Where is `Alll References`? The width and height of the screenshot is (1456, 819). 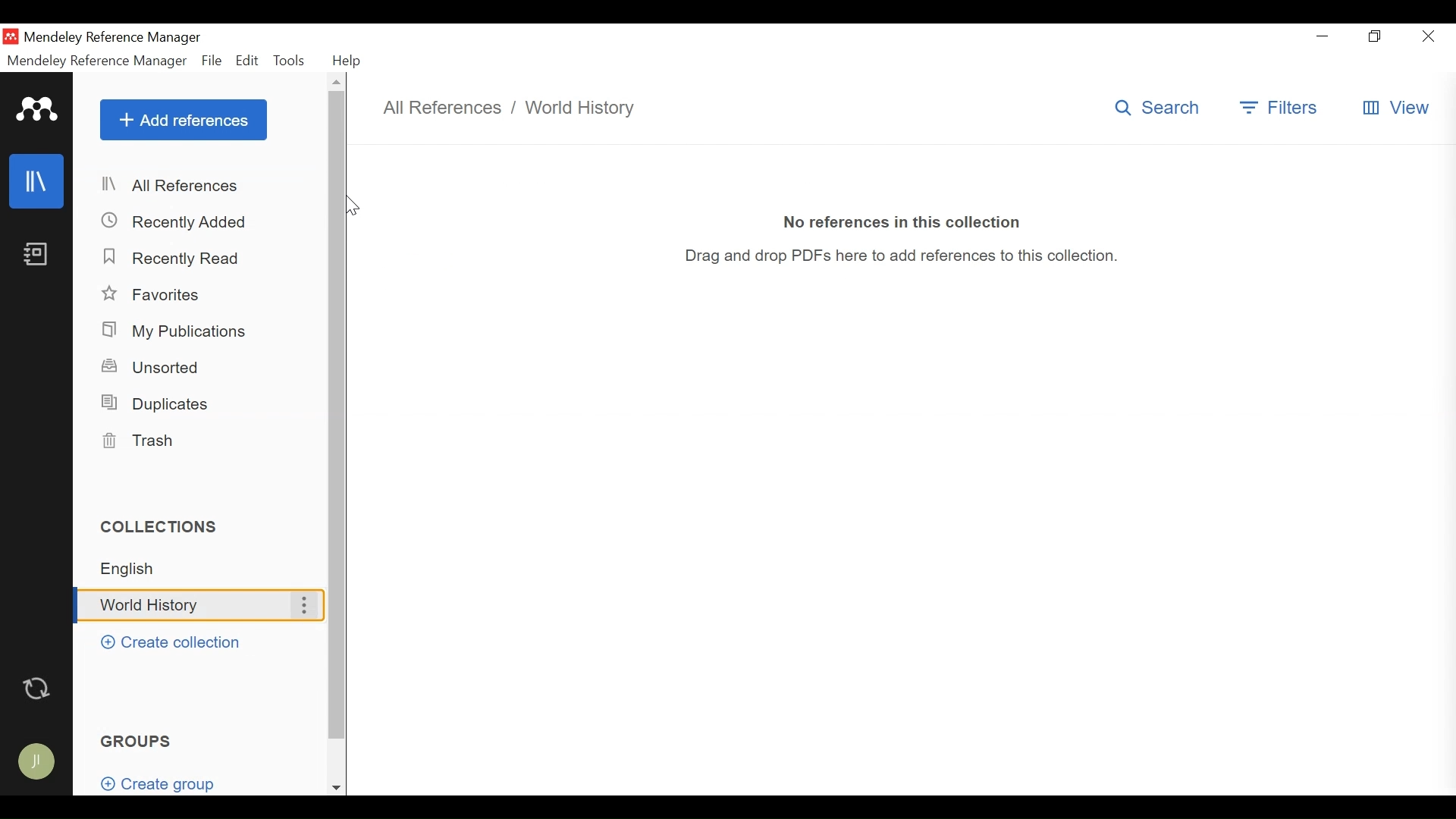 Alll References is located at coordinates (202, 186).